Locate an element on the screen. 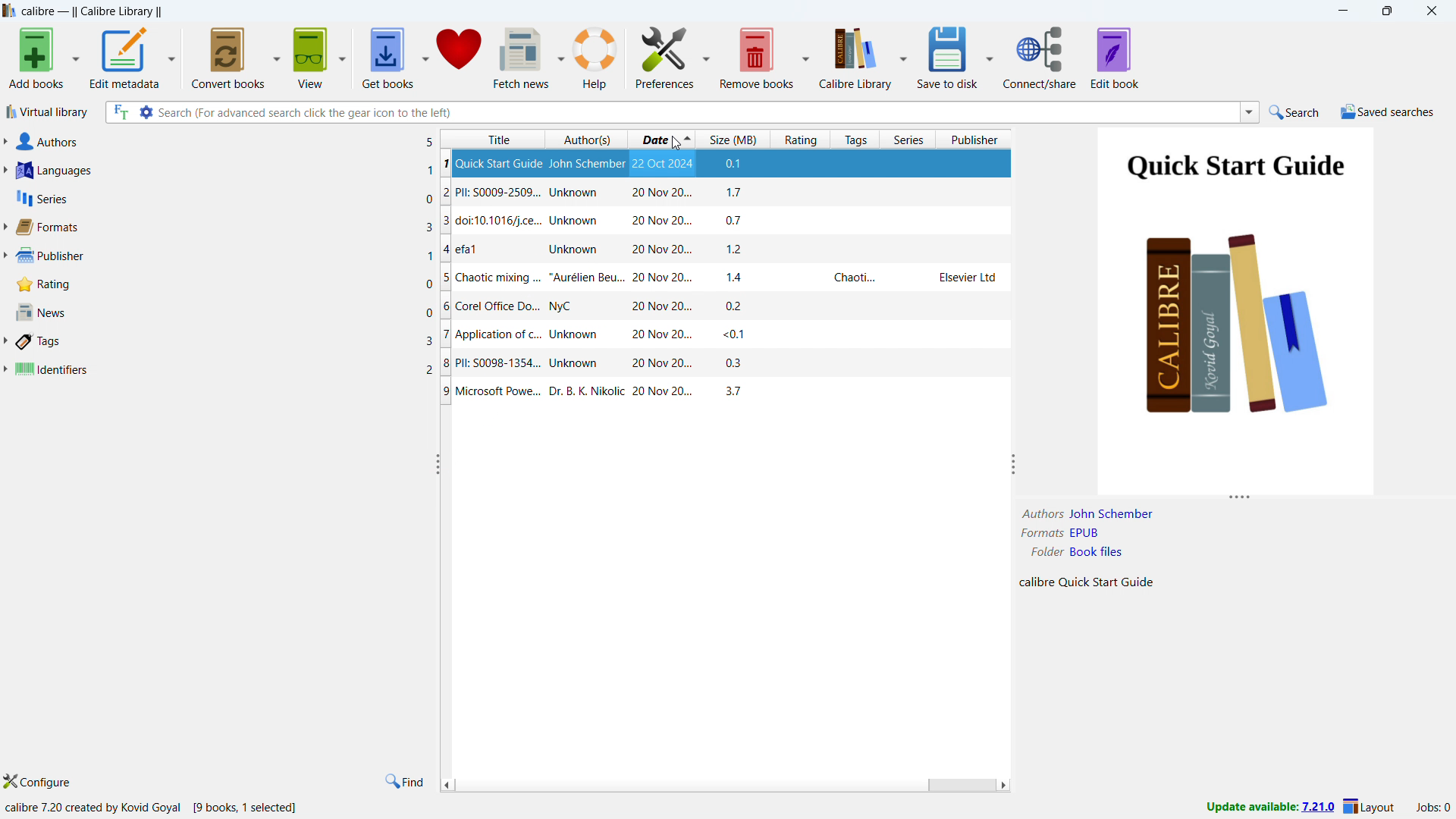 The width and height of the screenshot is (1456, 819). preference option is located at coordinates (705, 54).